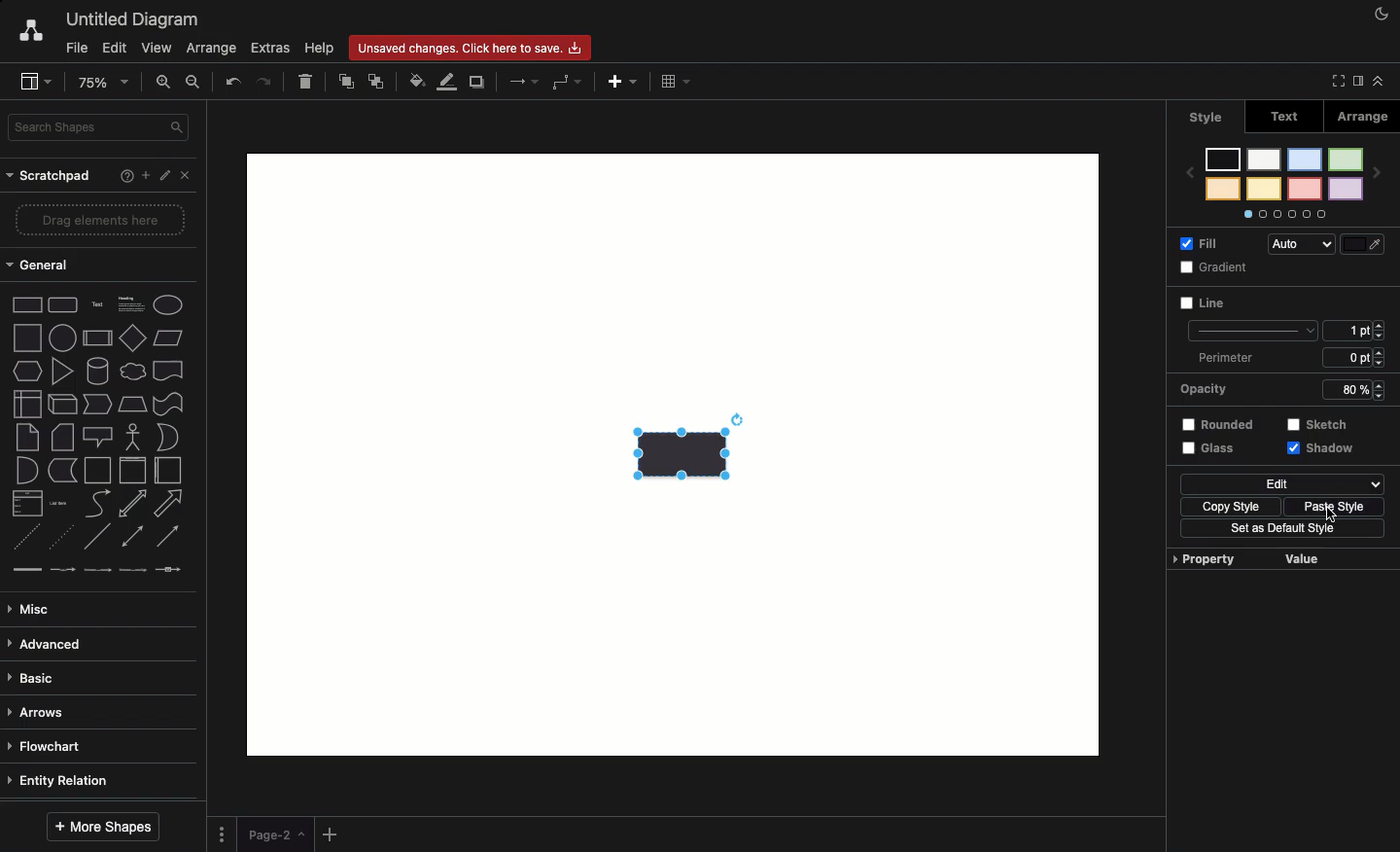 The image size is (1400, 852). I want to click on Opacity, so click(1202, 388).